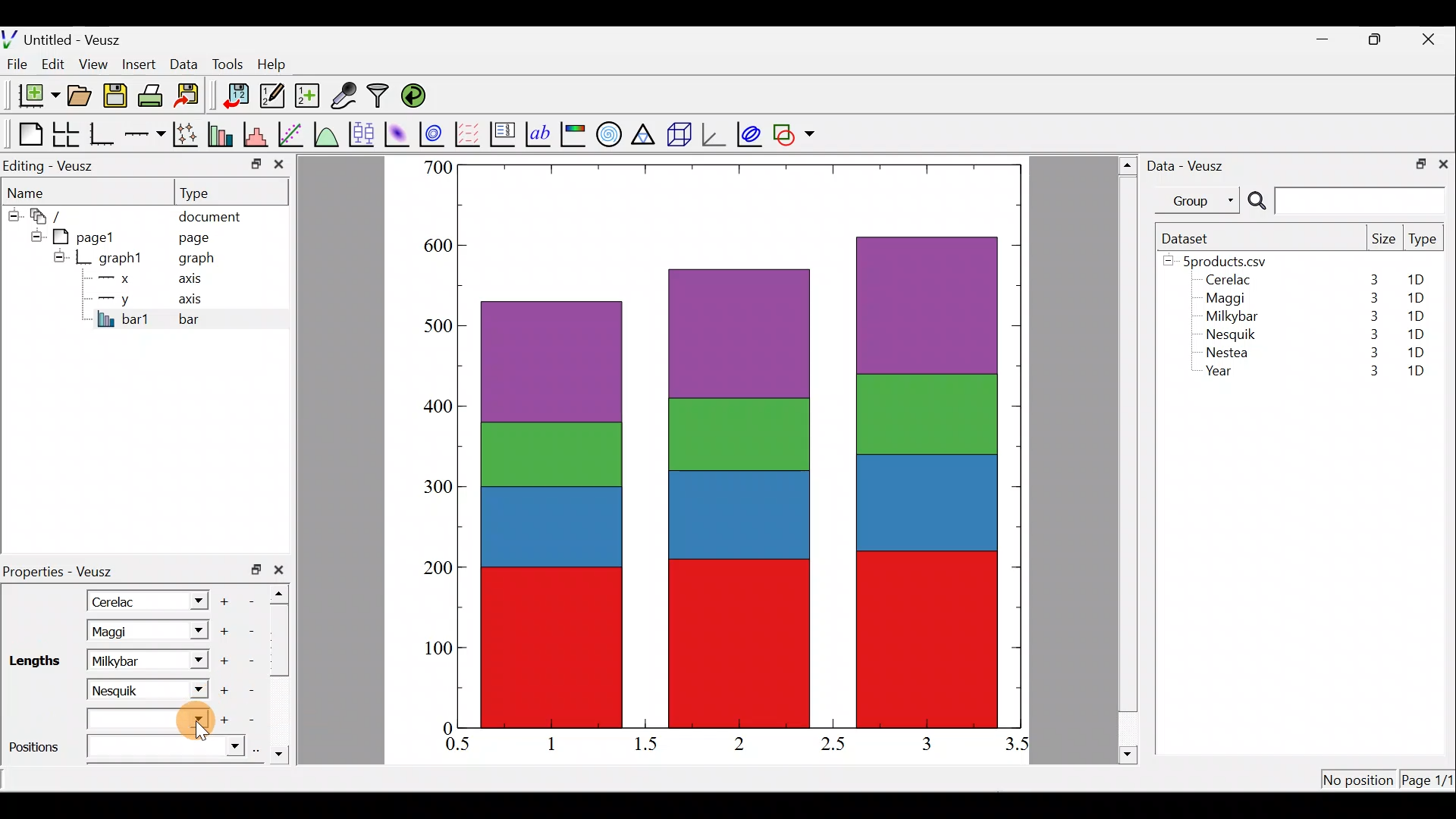  Describe the element at coordinates (1371, 334) in the screenshot. I see `3` at that location.